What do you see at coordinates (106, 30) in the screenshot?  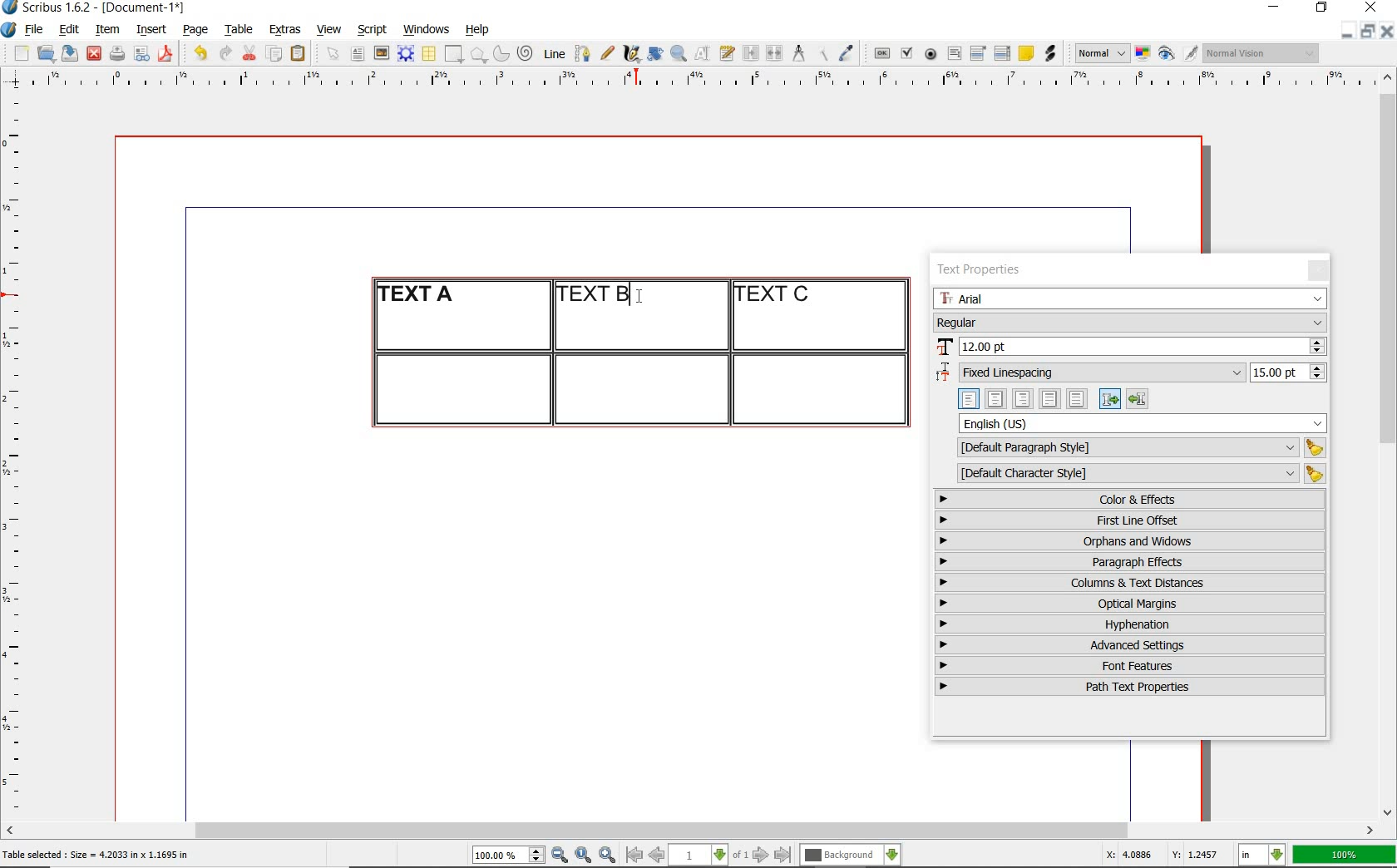 I see `item` at bounding box center [106, 30].